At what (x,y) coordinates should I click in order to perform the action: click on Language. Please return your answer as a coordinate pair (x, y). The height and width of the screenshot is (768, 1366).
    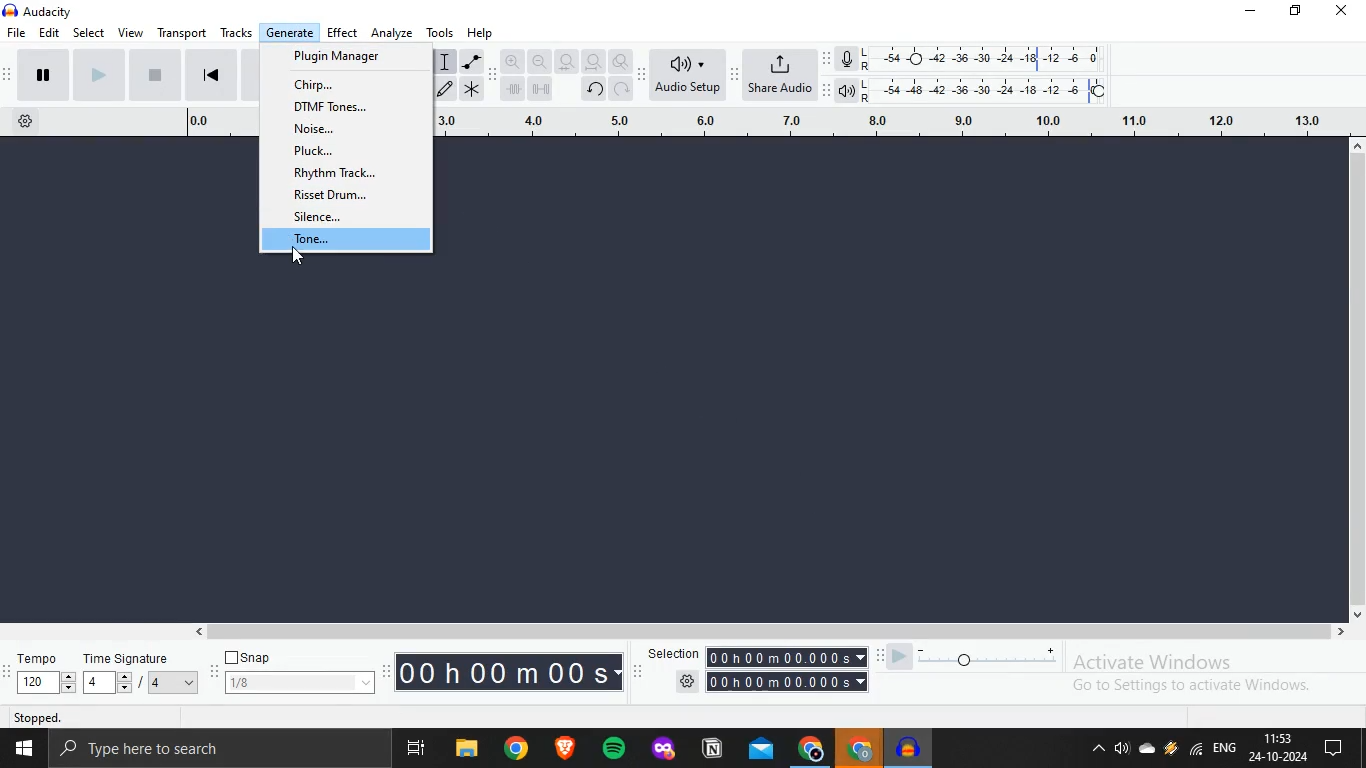
    Looking at the image, I should click on (1228, 748).